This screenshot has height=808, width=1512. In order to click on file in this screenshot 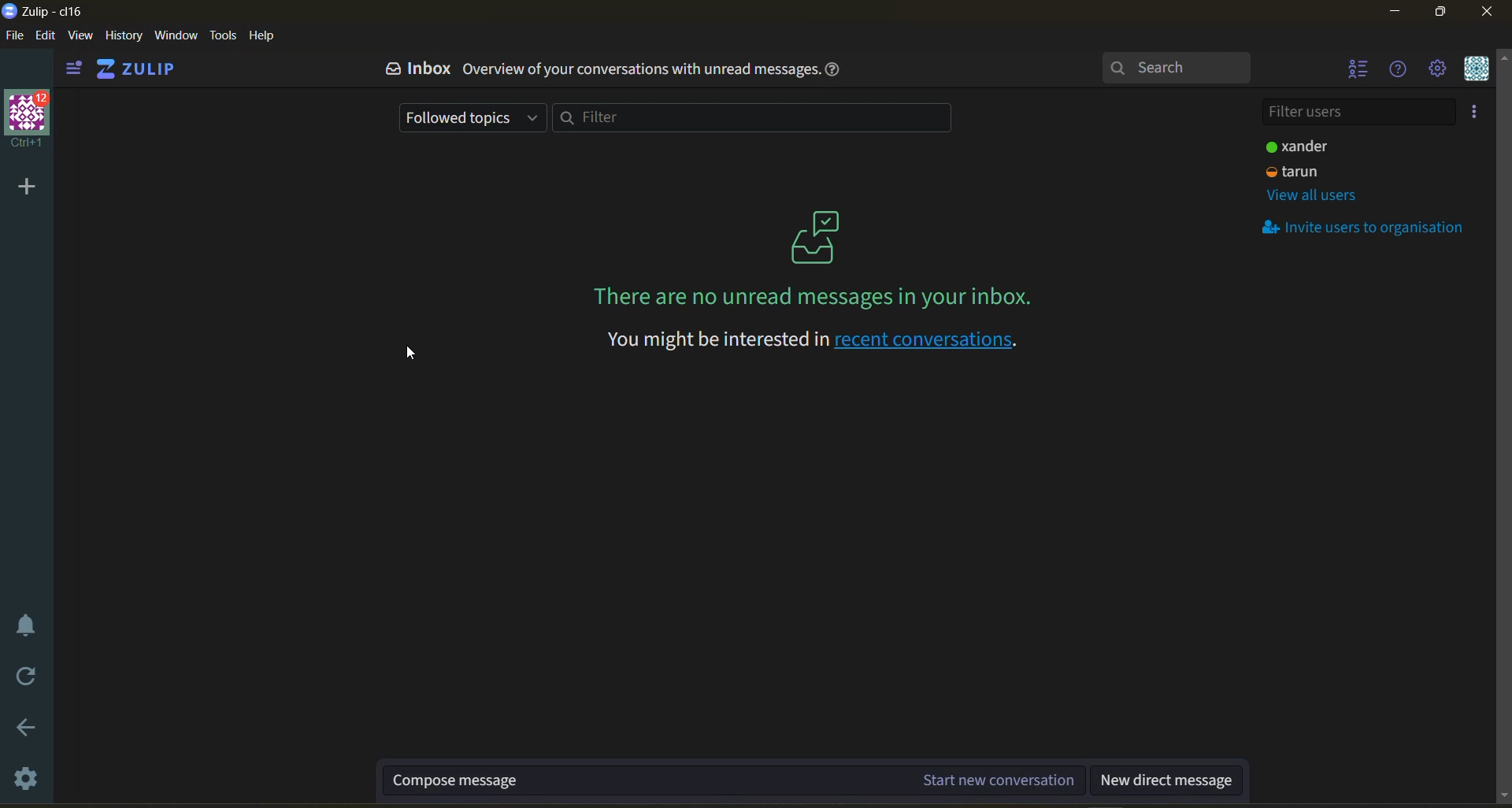, I will do `click(17, 35)`.